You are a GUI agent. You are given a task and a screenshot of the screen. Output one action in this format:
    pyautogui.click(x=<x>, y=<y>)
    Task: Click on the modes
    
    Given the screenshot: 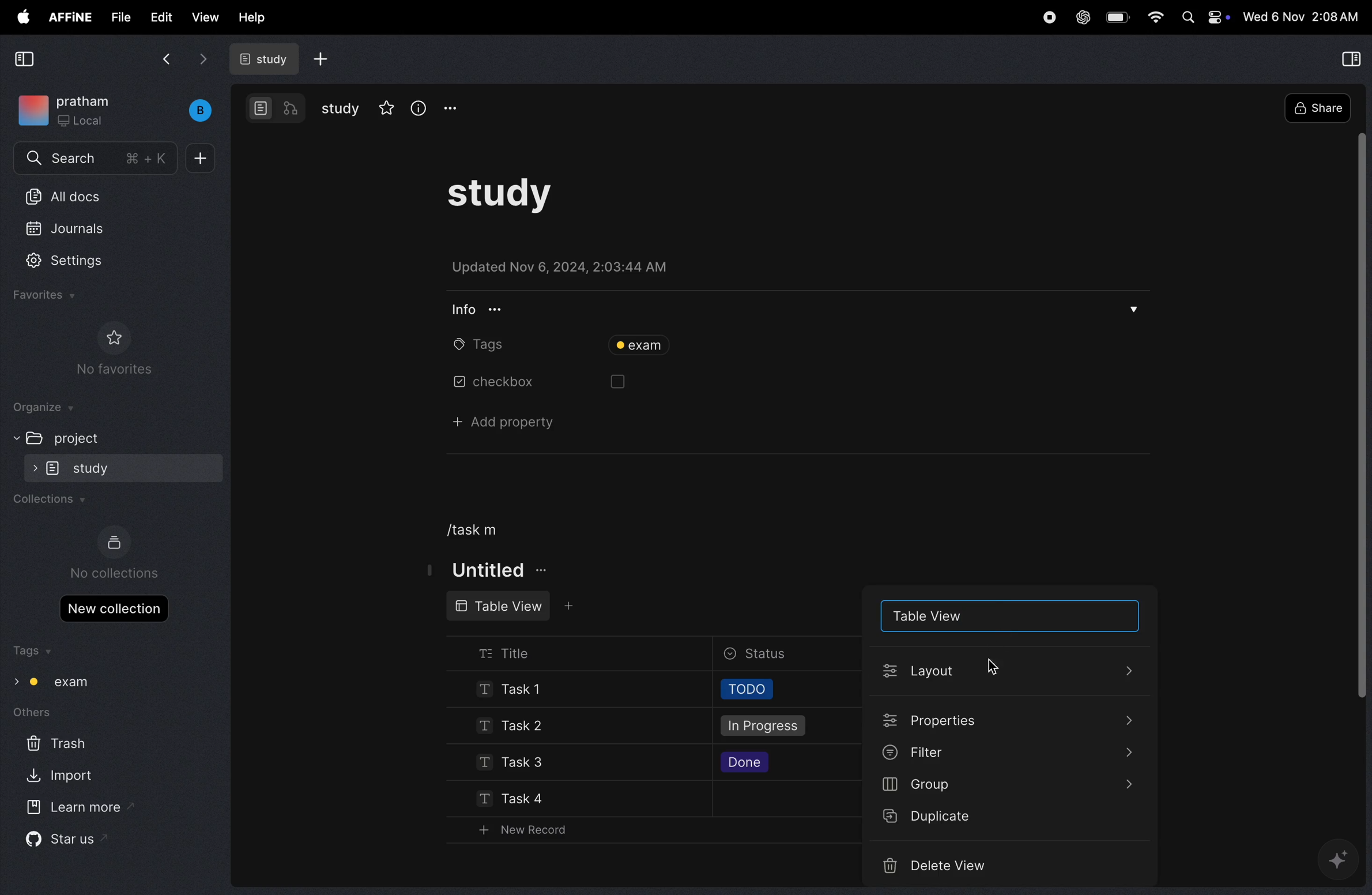 What is the action you would take?
    pyautogui.click(x=277, y=110)
    